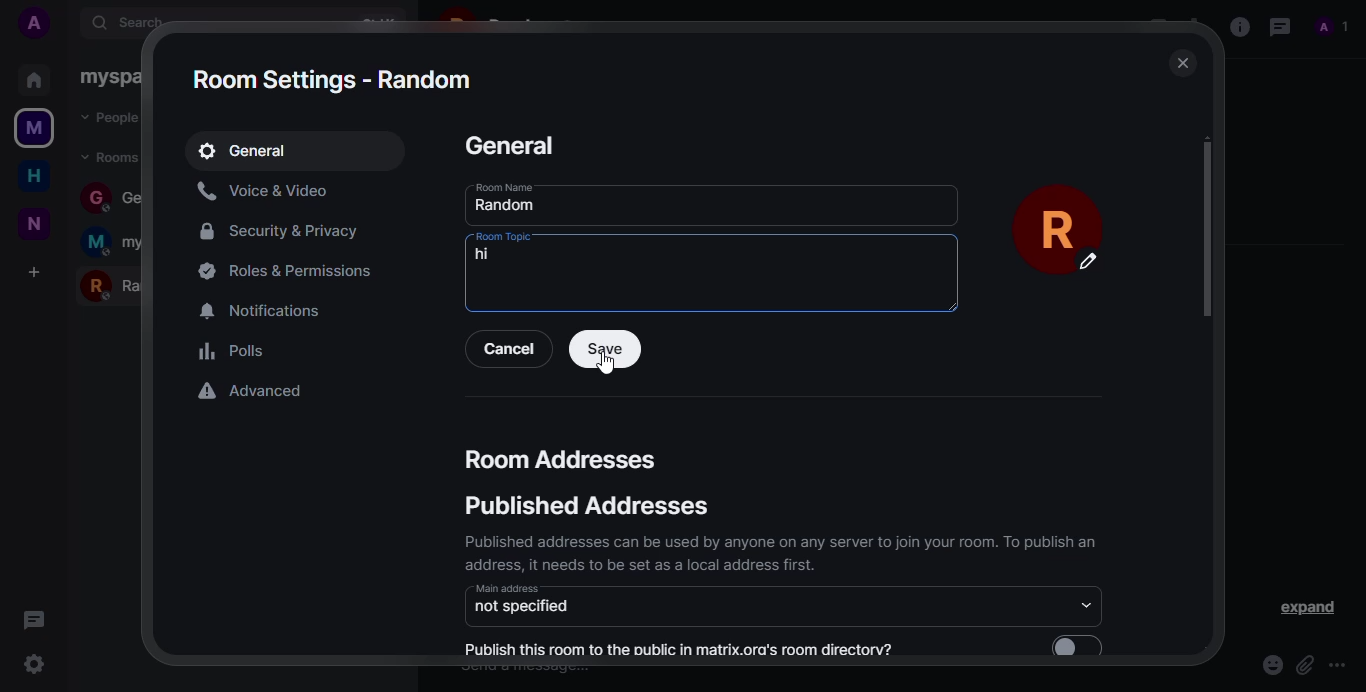 This screenshot has height=692, width=1366. What do you see at coordinates (1302, 665) in the screenshot?
I see `attach` at bounding box center [1302, 665].